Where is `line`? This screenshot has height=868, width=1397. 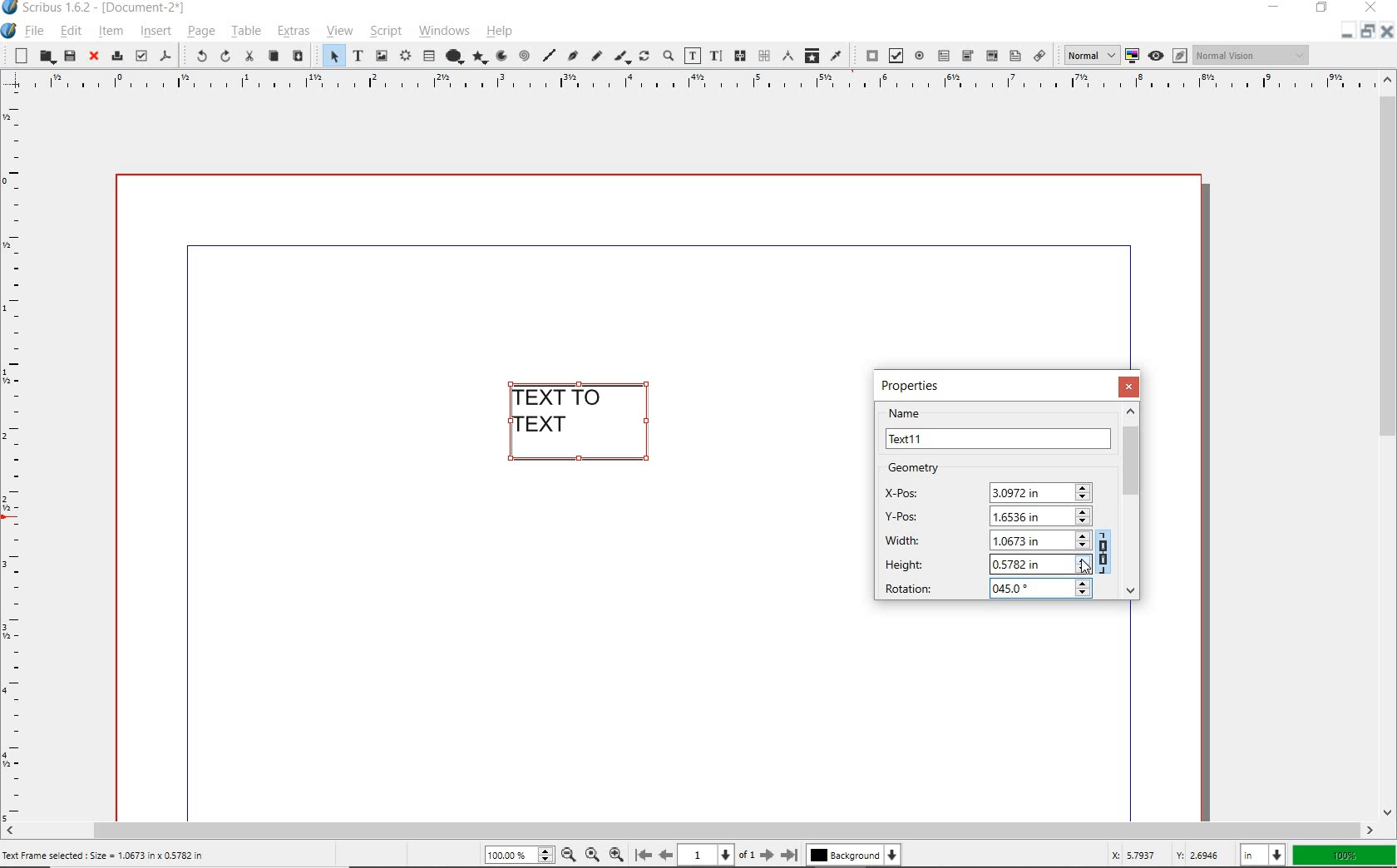 line is located at coordinates (548, 57).